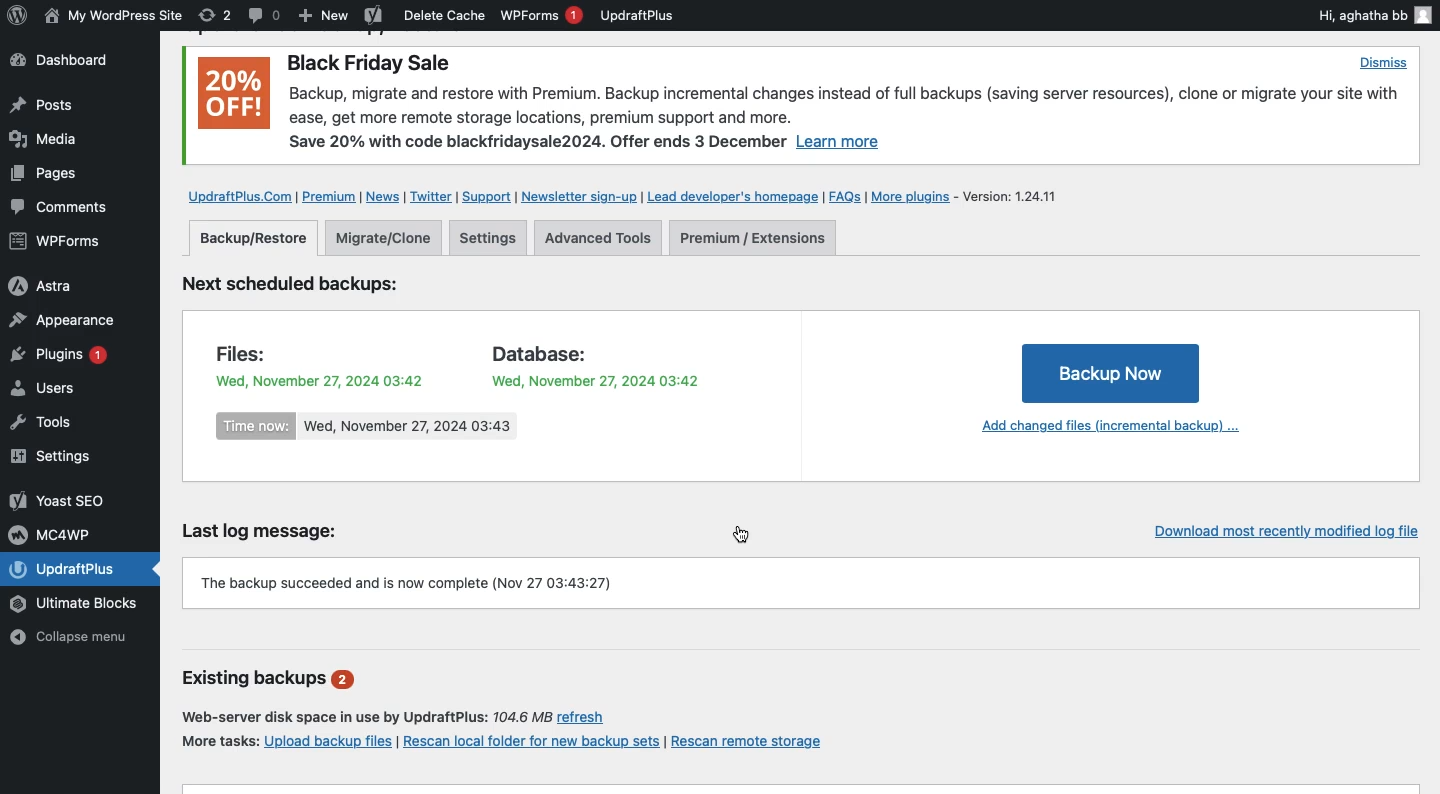 This screenshot has height=794, width=1440. What do you see at coordinates (82, 637) in the screenshot?
I see `Collapse menu` at bounding box center [82, 637].